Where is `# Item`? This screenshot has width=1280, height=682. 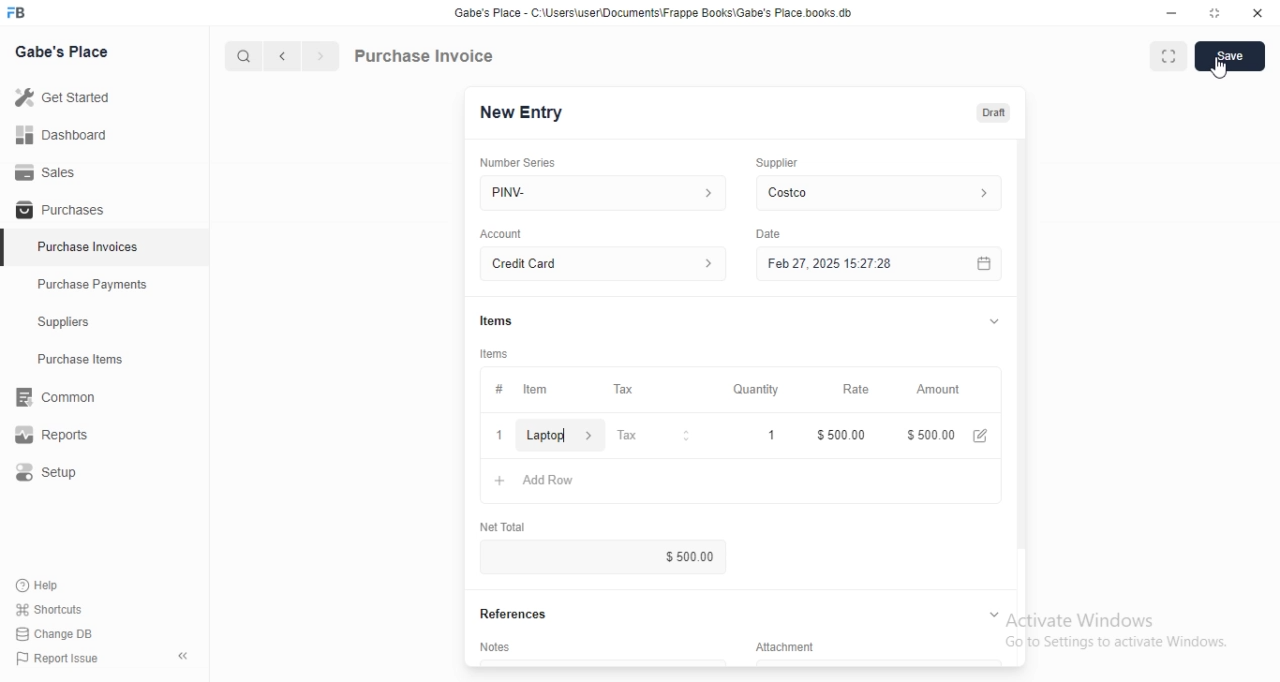
# Item is located at coordinates (544, 390).